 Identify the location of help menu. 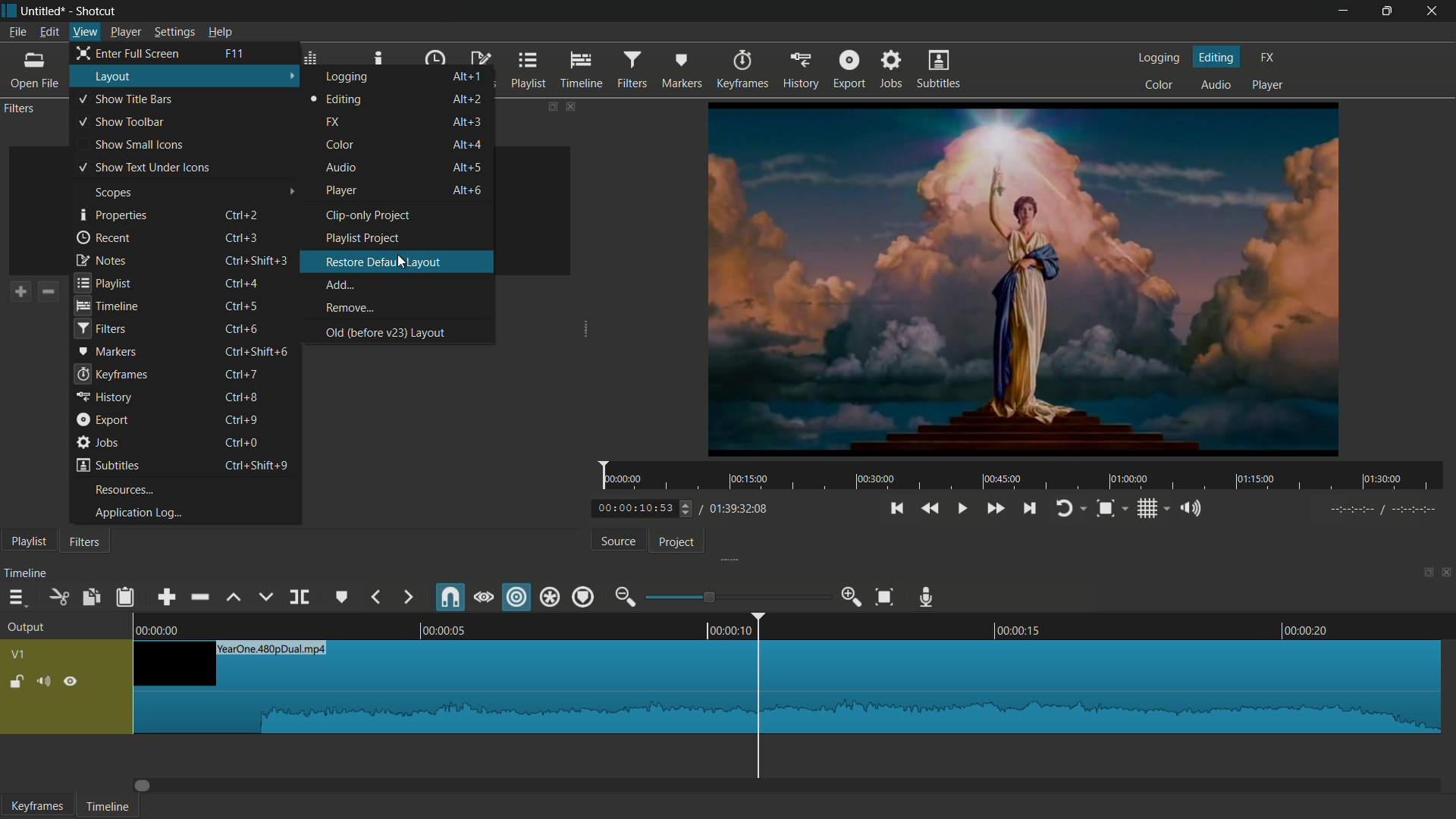
(220, 32).